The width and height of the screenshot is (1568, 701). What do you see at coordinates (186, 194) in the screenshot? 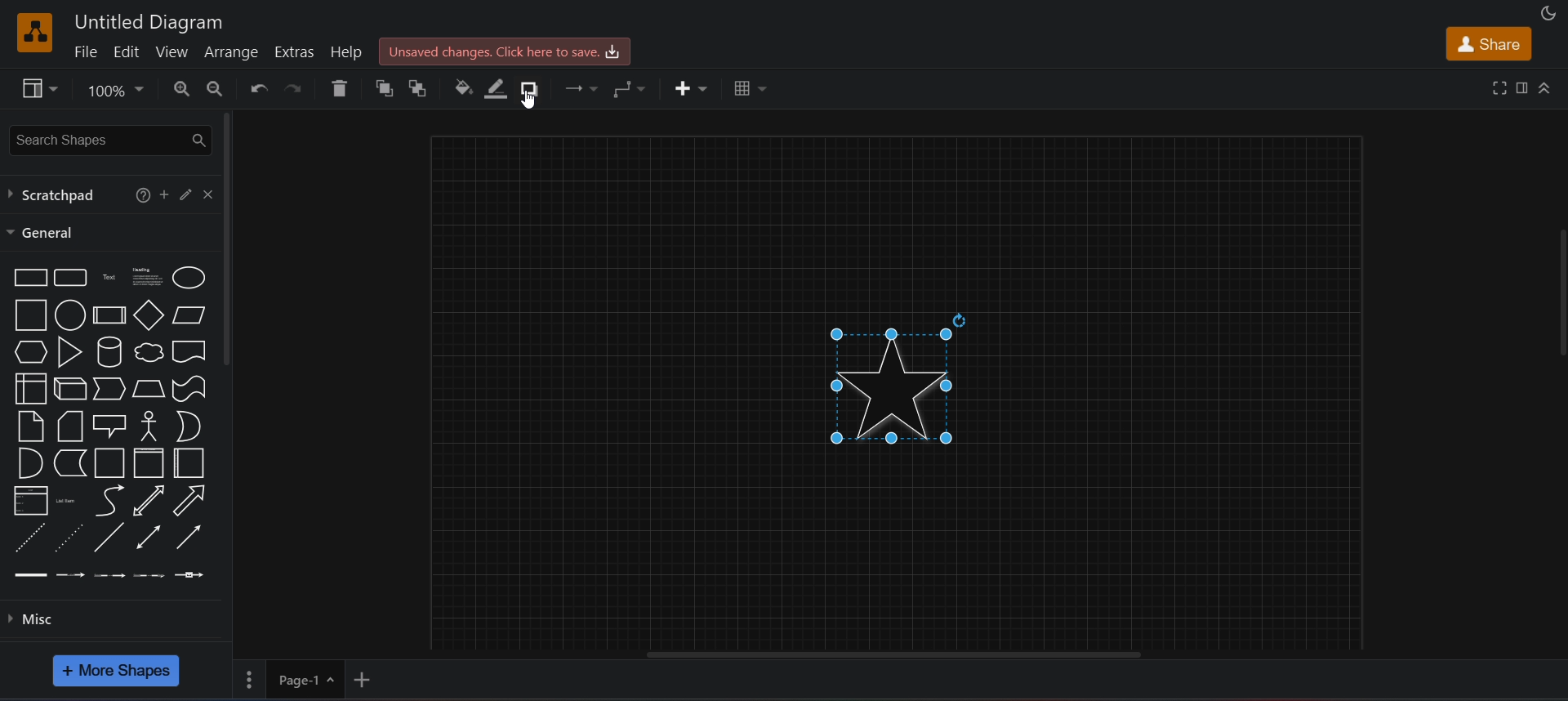
I see `edit` at bounding box center [186, 194].